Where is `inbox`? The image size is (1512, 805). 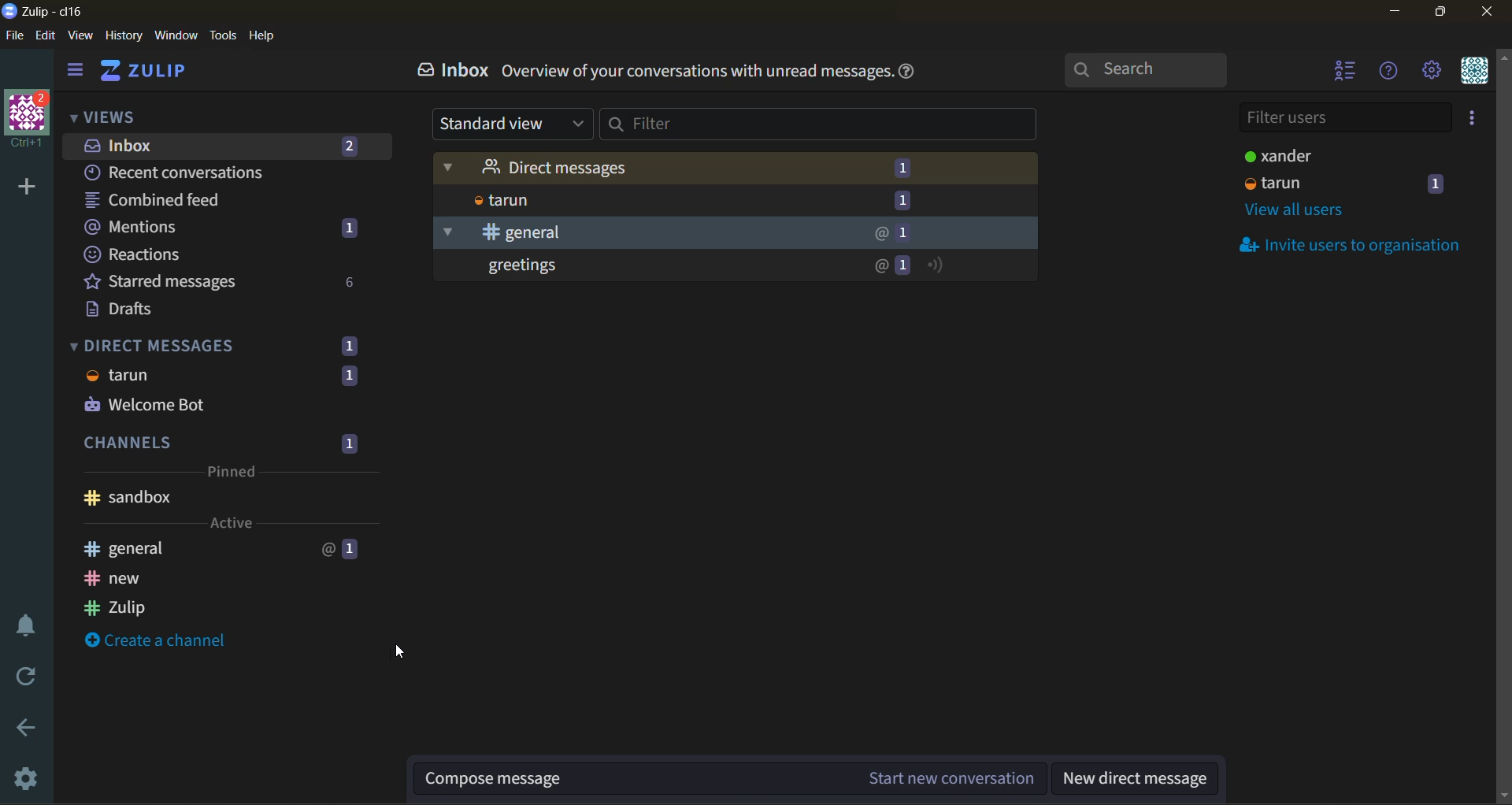 inbox is located at coordinates (226, 144).